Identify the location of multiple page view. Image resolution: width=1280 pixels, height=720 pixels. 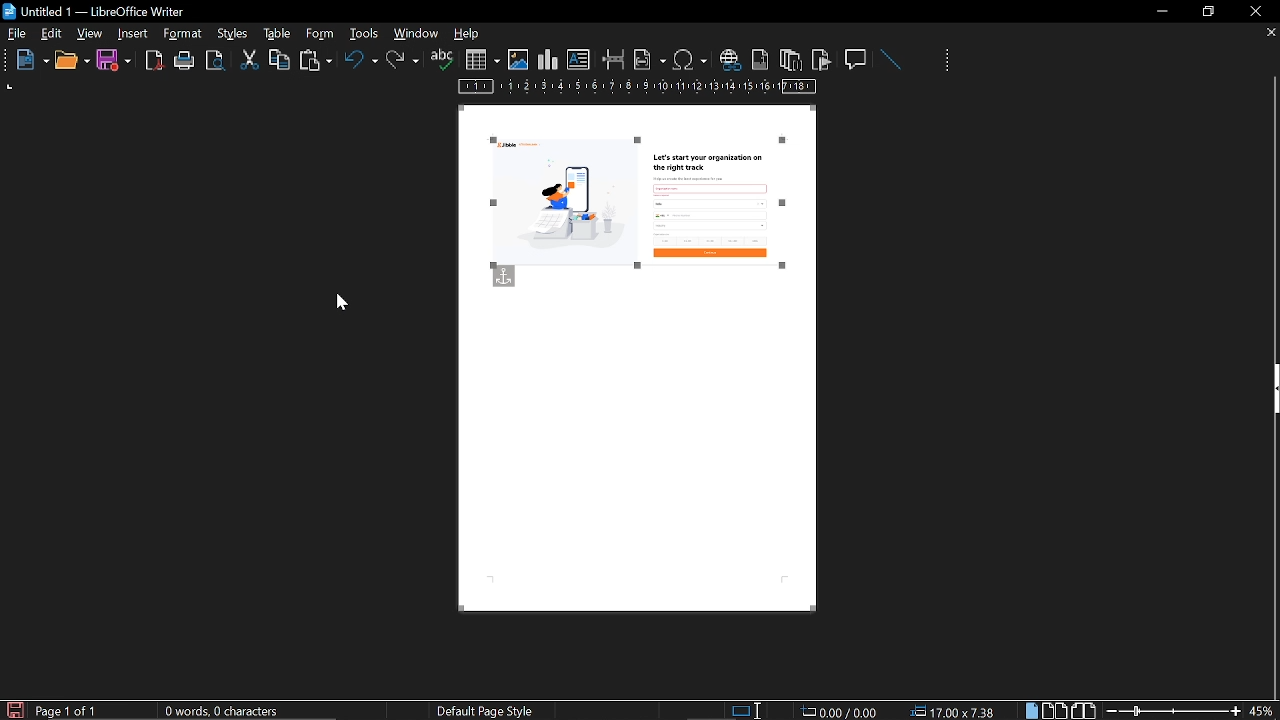
(1055, 711).